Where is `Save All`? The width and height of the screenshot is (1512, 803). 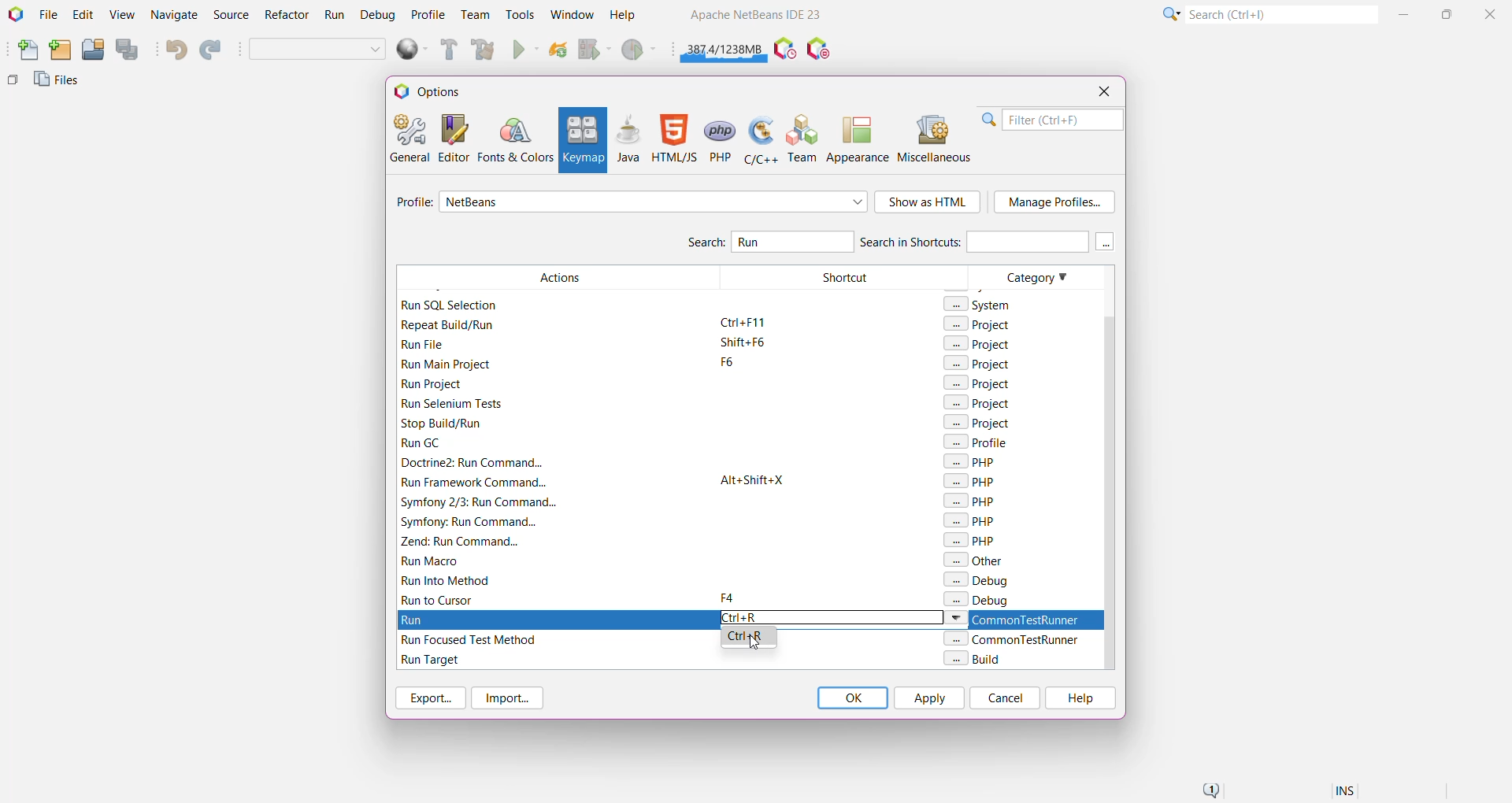 Save All is located at coordinates (128, 50).